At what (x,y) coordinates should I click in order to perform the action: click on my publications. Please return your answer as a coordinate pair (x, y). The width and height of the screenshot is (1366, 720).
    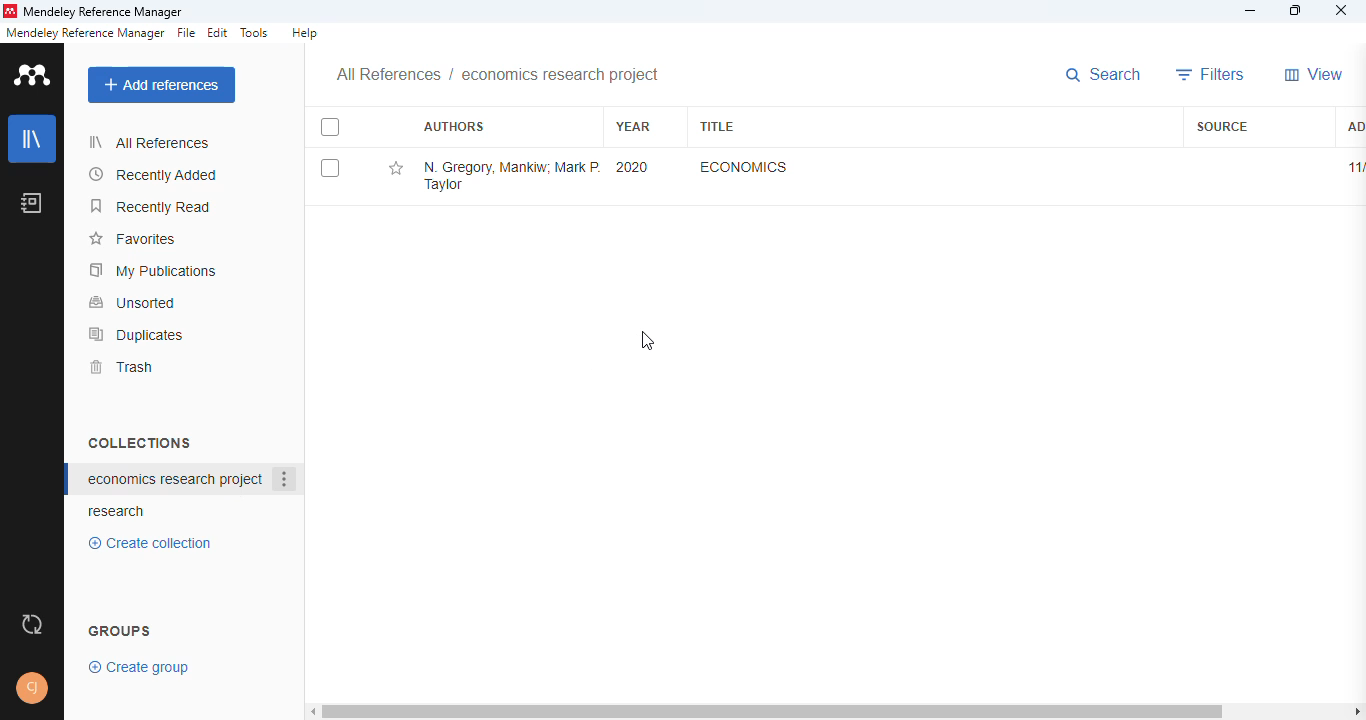
    Looking at the image, I should click on (154, 270).